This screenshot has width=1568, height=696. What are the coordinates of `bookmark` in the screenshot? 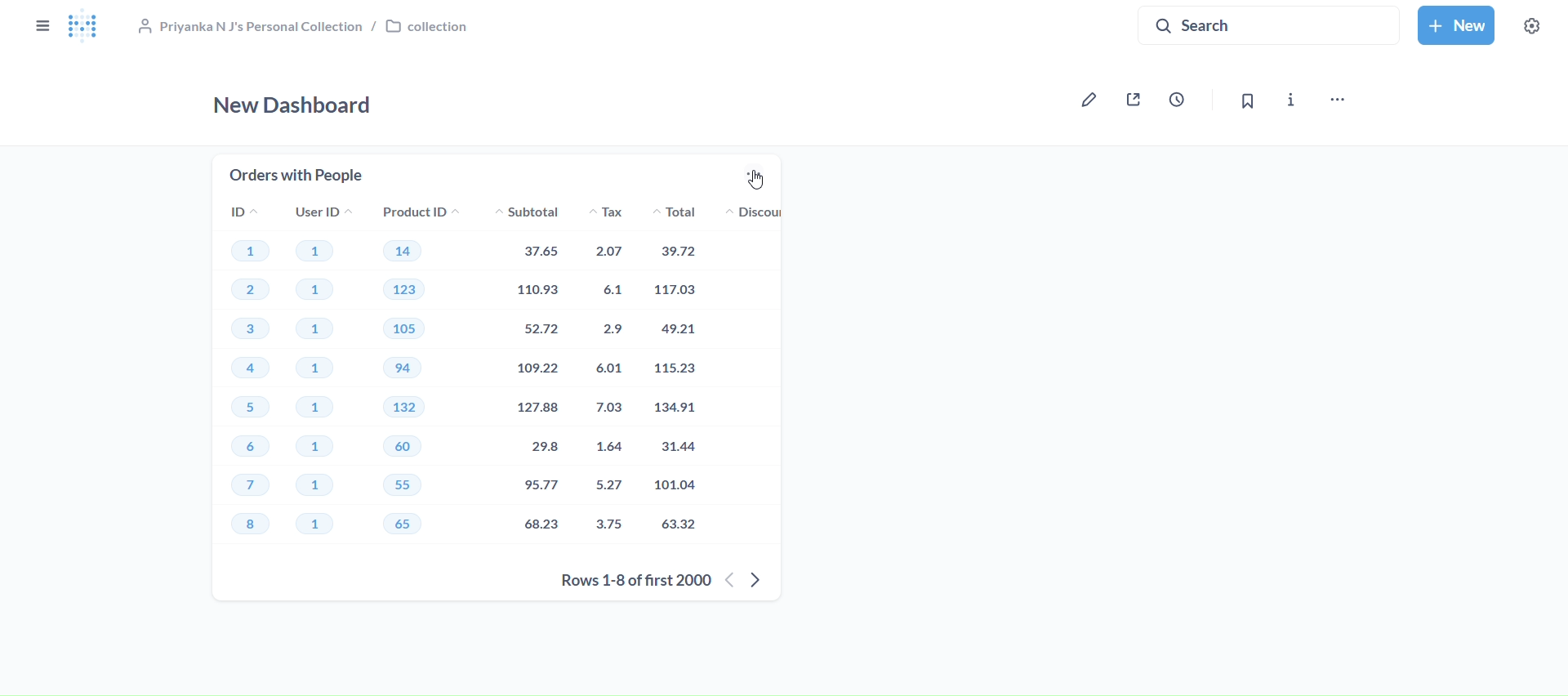 It's located at (1250, 102).